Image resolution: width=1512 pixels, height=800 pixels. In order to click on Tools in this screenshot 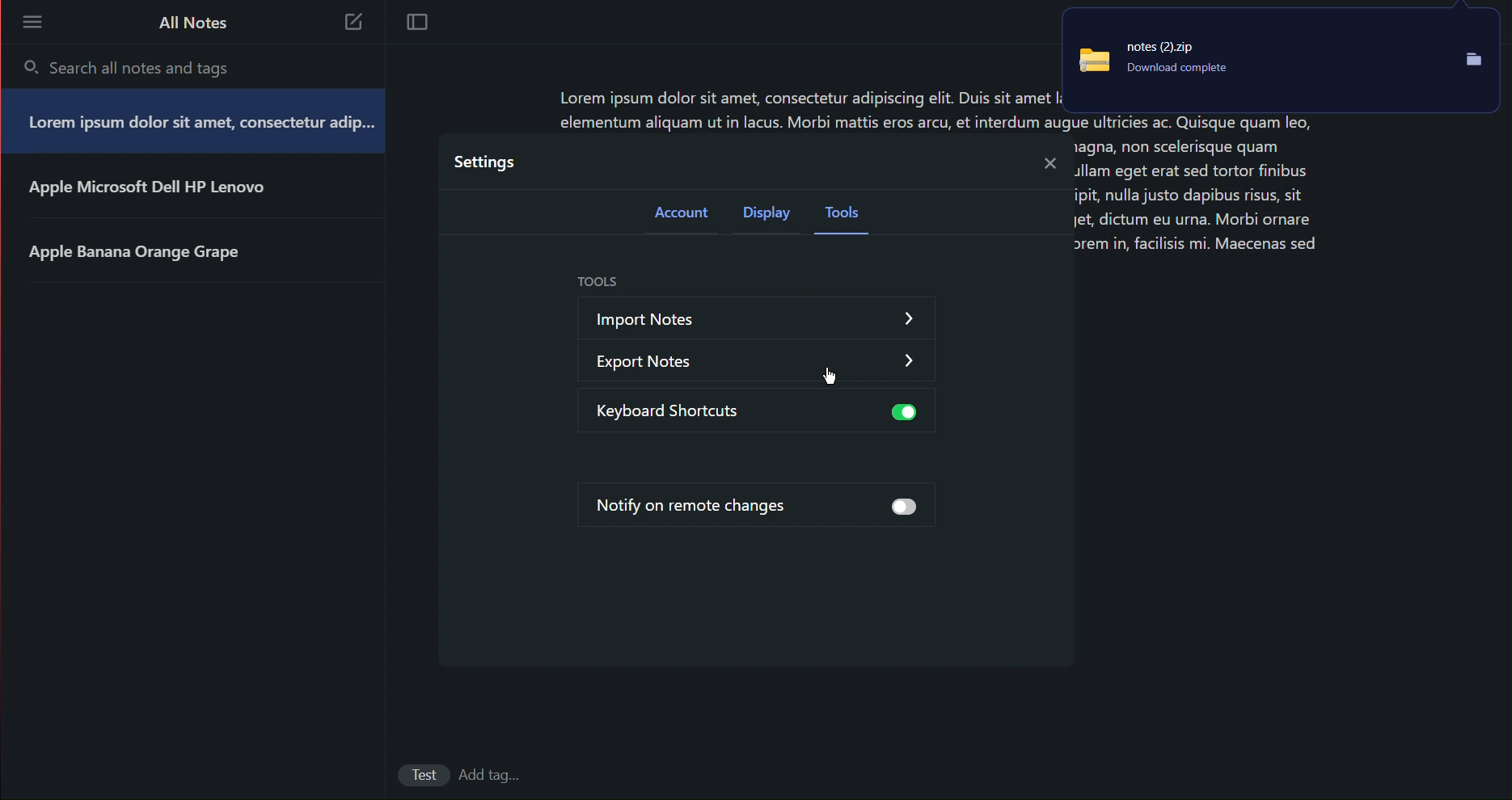, I will do `click(596, 283)`.